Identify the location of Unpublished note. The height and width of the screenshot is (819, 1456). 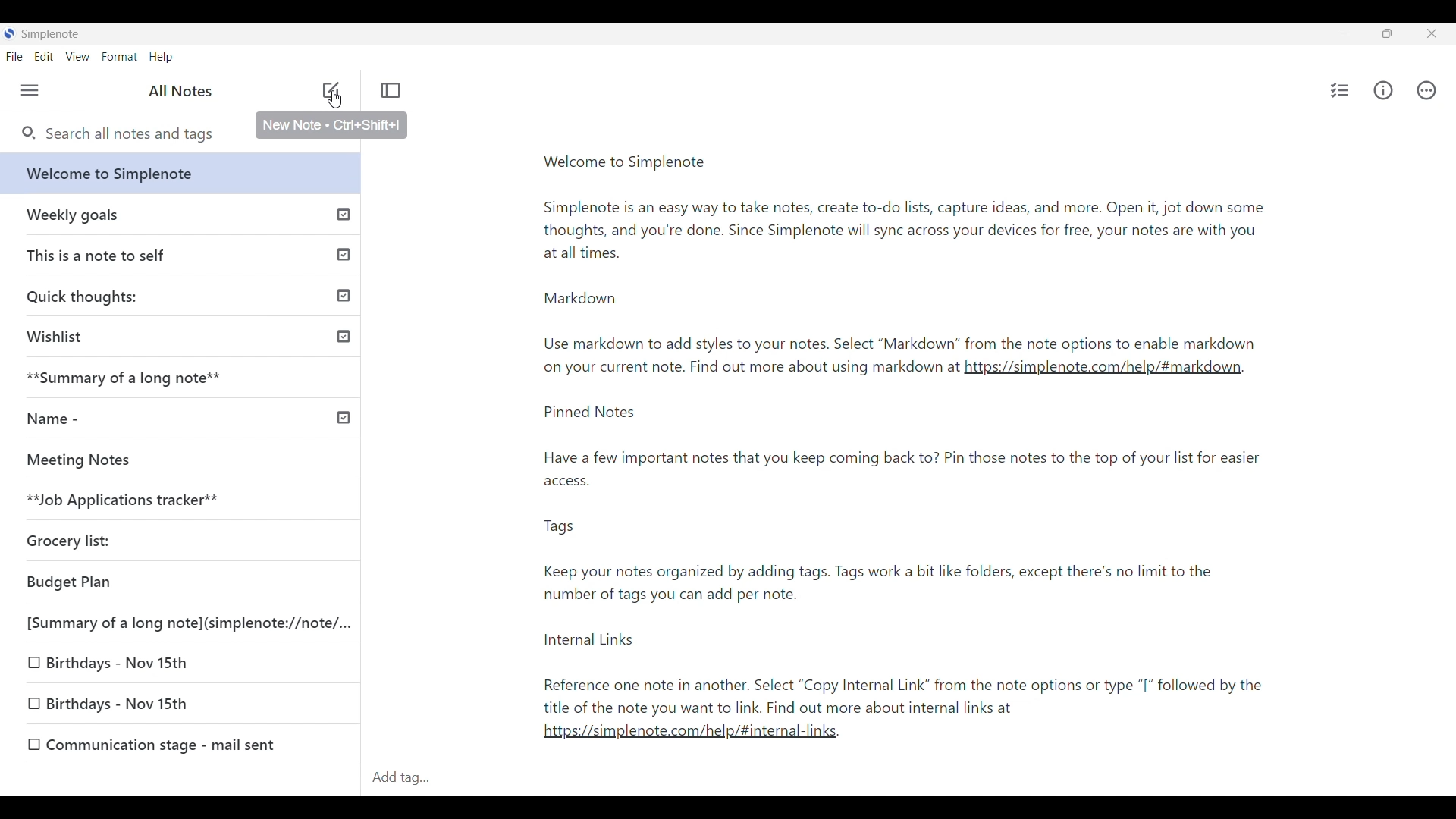
(121, 660).